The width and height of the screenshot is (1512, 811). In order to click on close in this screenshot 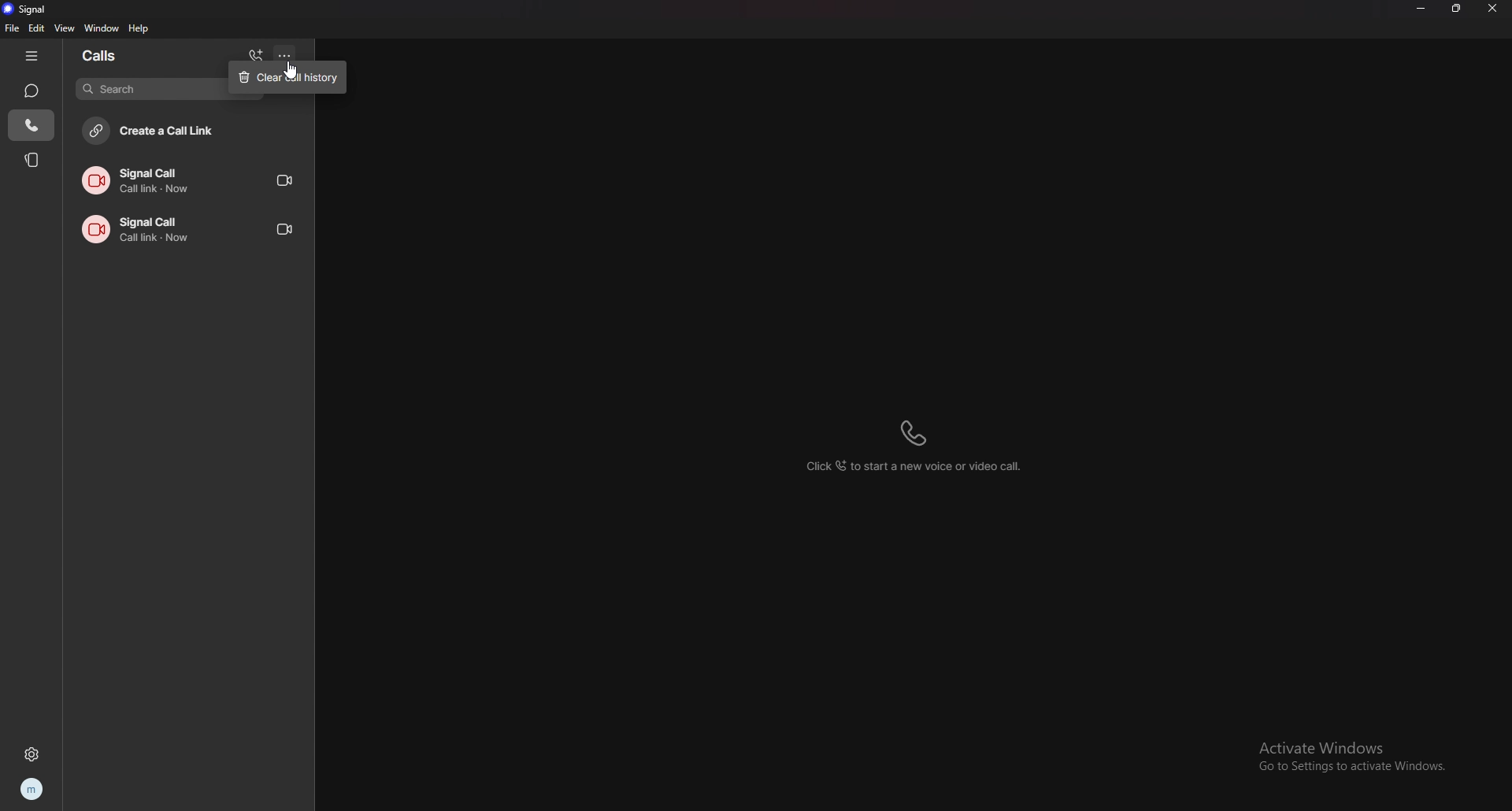, I will do `click(1494, 9)`.